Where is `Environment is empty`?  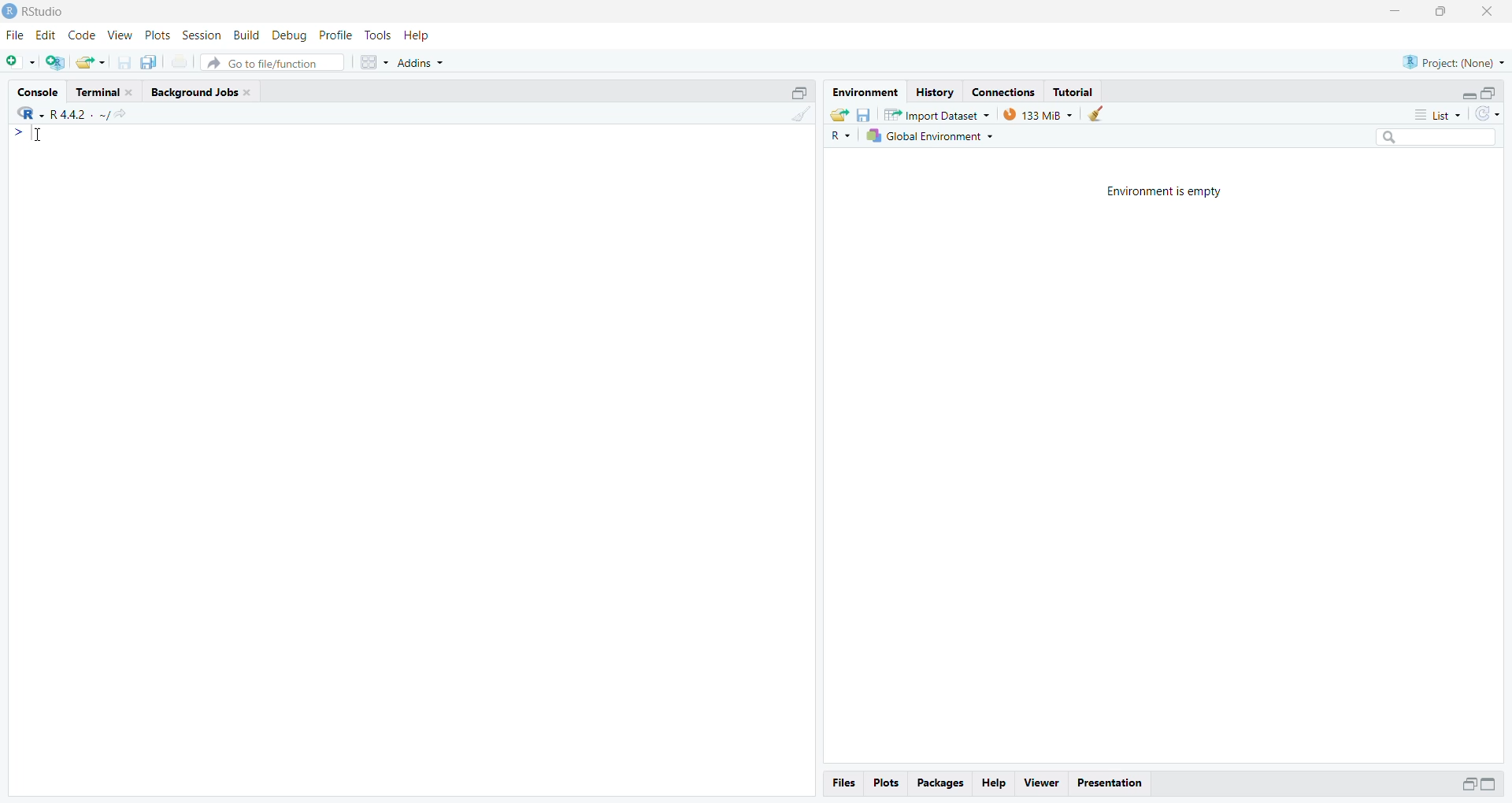 Environment is empty is located at coordinates (1159, 194).